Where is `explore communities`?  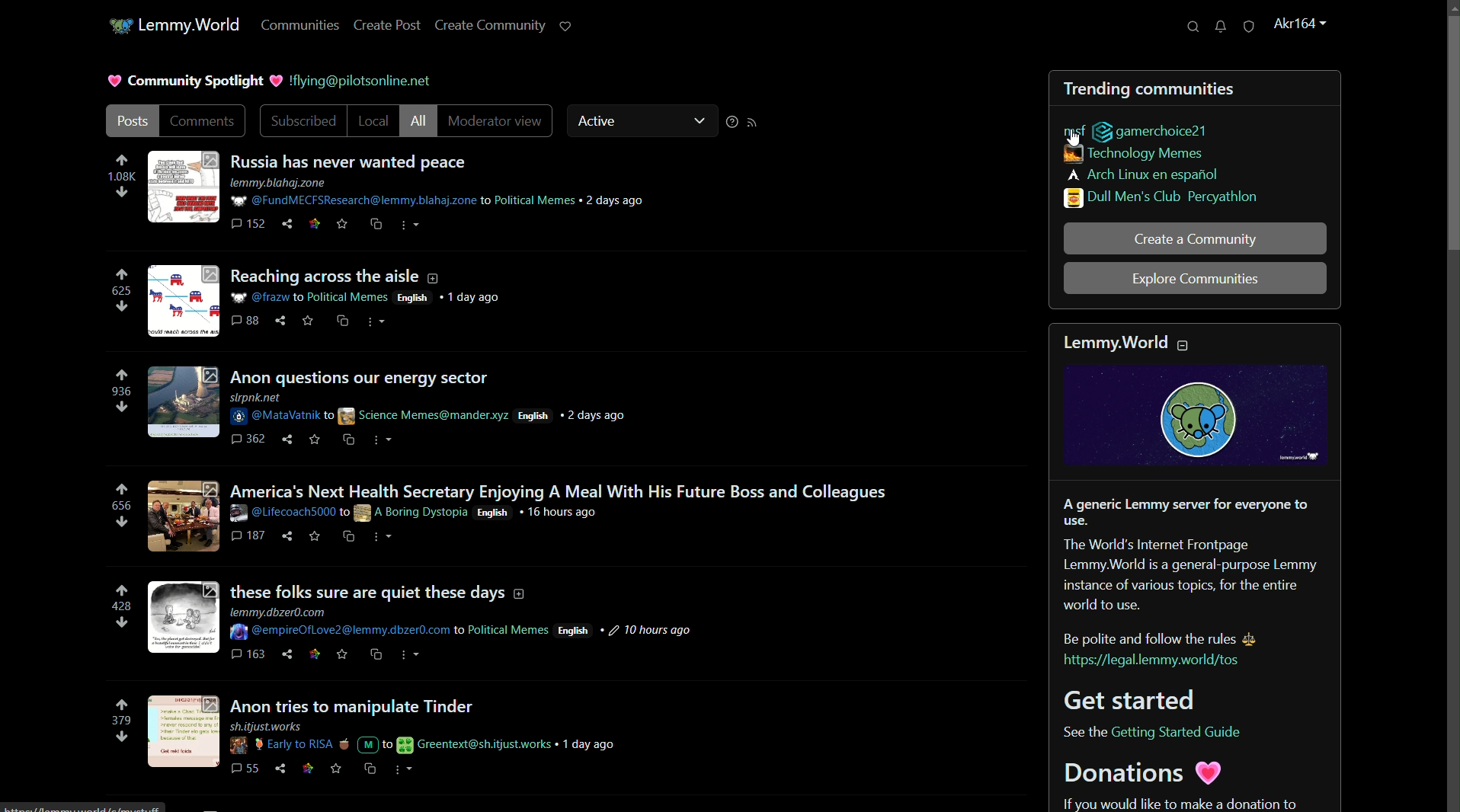
explore communities is located at coordinates (1193, 279).